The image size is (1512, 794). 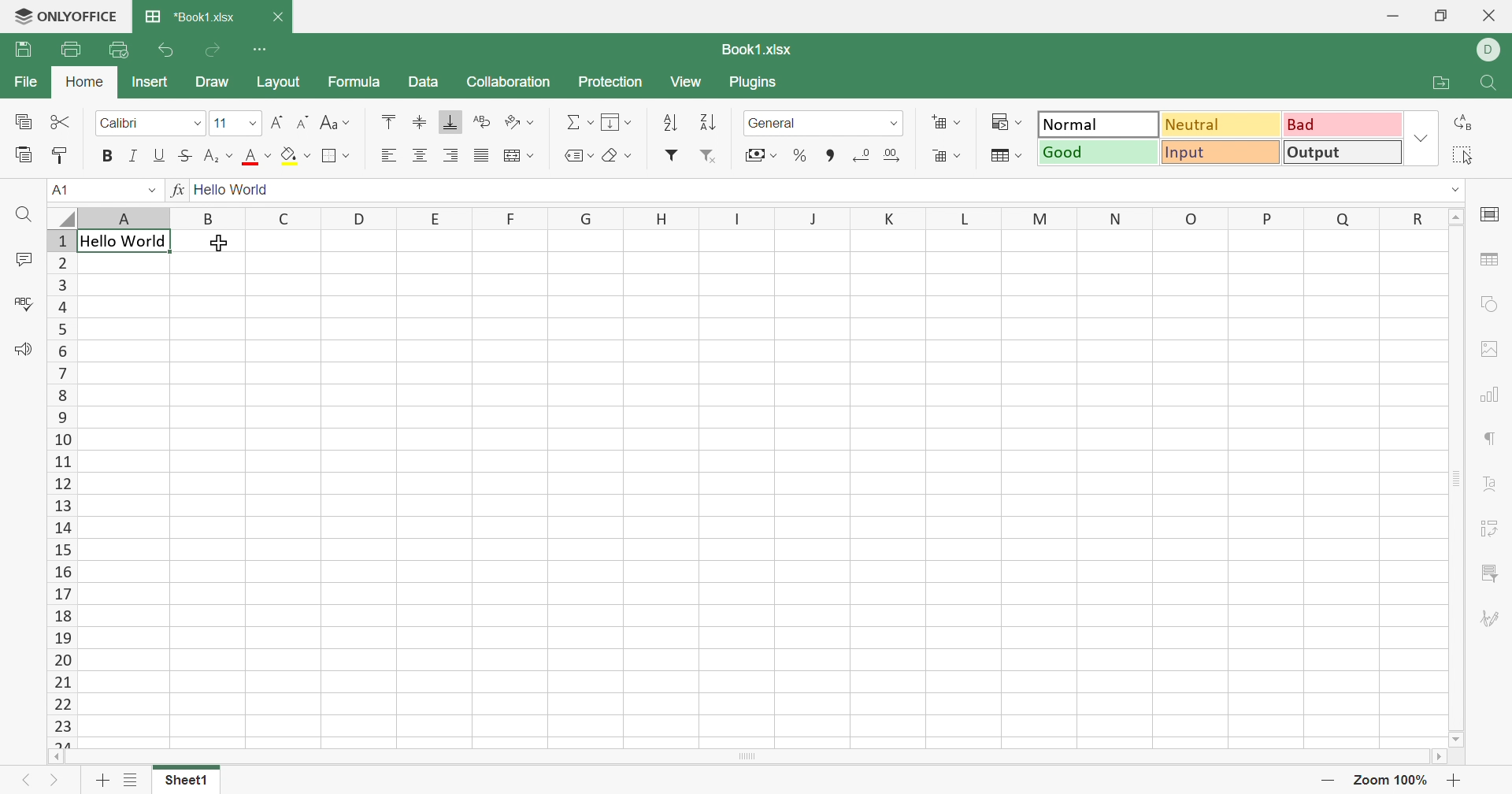 I want to click on Replace, so click(x=1462, y=122).